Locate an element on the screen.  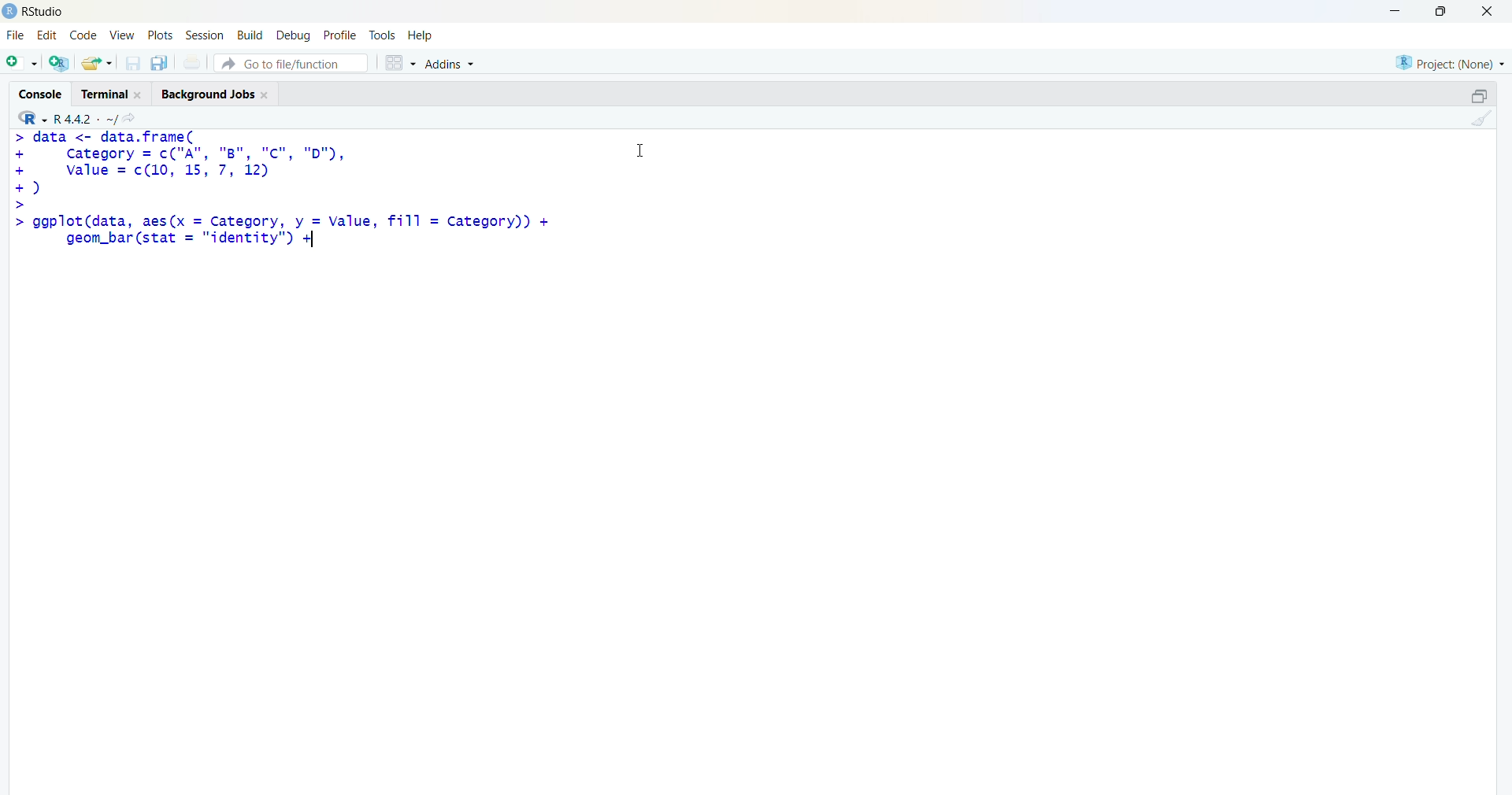
View is located at coordinates (123, 35).